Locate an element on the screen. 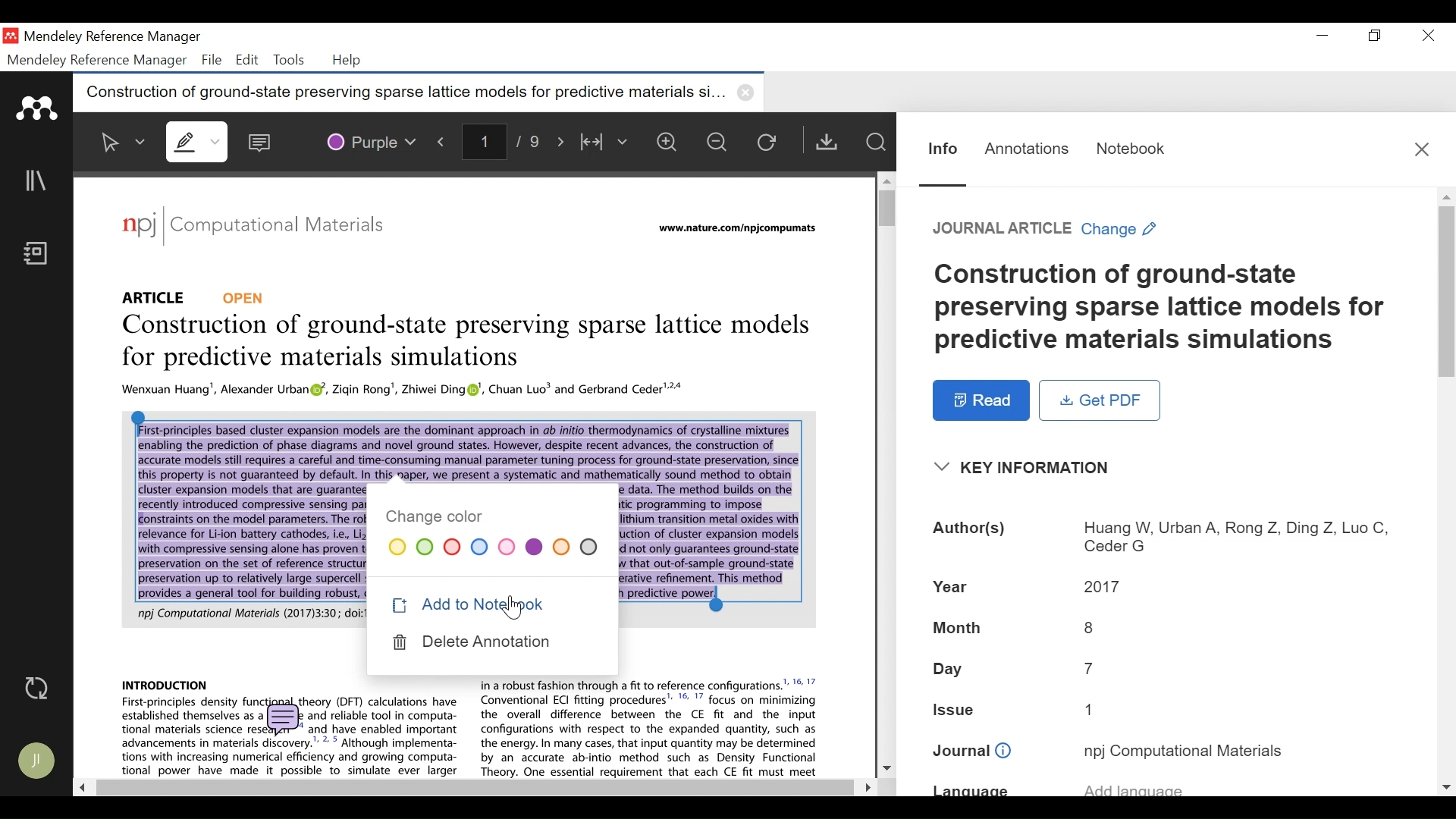 The height and width of the screenshot is (819, 1456). Zoom in is located at coordinates (671, 142).